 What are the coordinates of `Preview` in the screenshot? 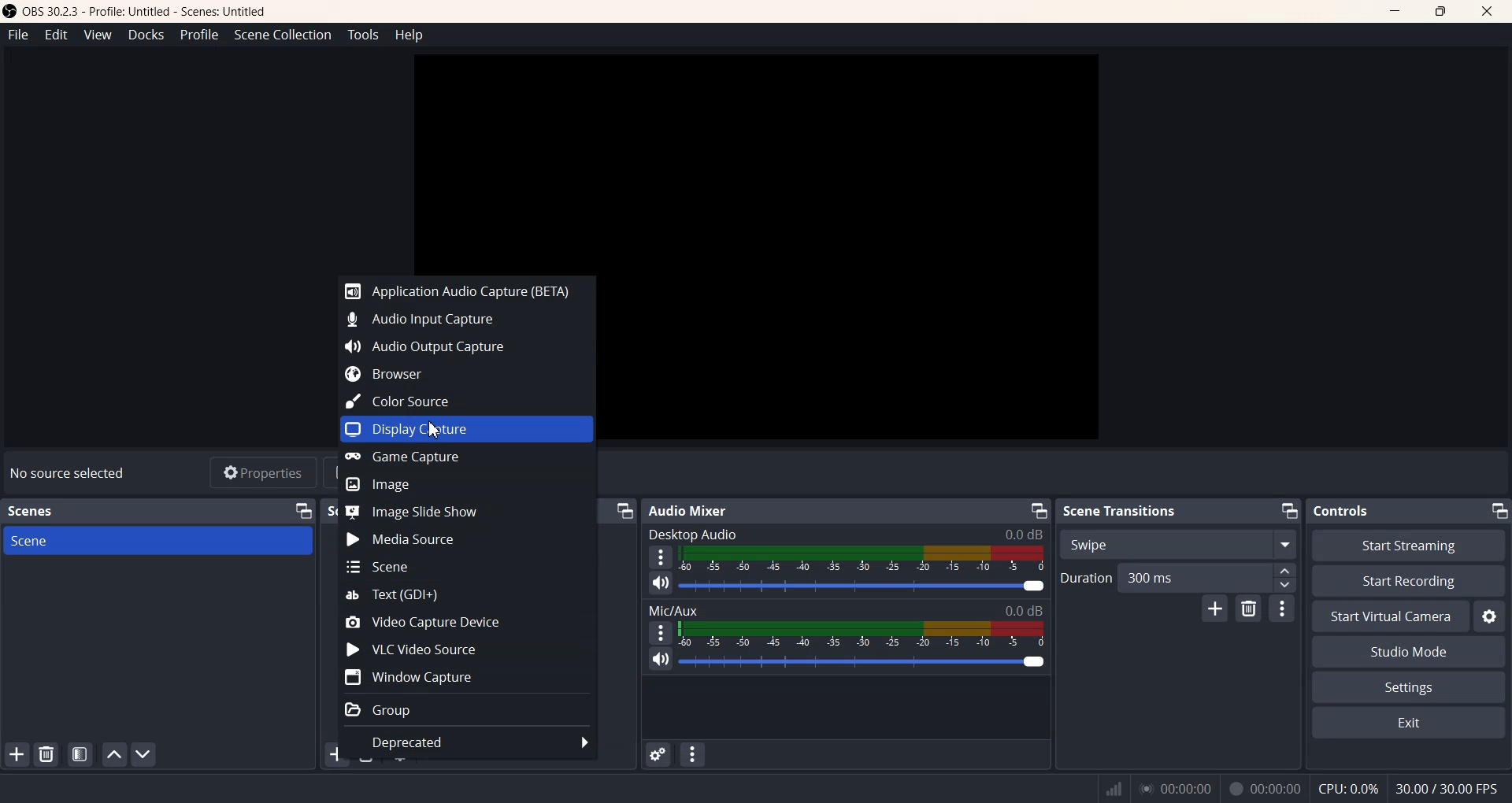 It's located at (756, 160).